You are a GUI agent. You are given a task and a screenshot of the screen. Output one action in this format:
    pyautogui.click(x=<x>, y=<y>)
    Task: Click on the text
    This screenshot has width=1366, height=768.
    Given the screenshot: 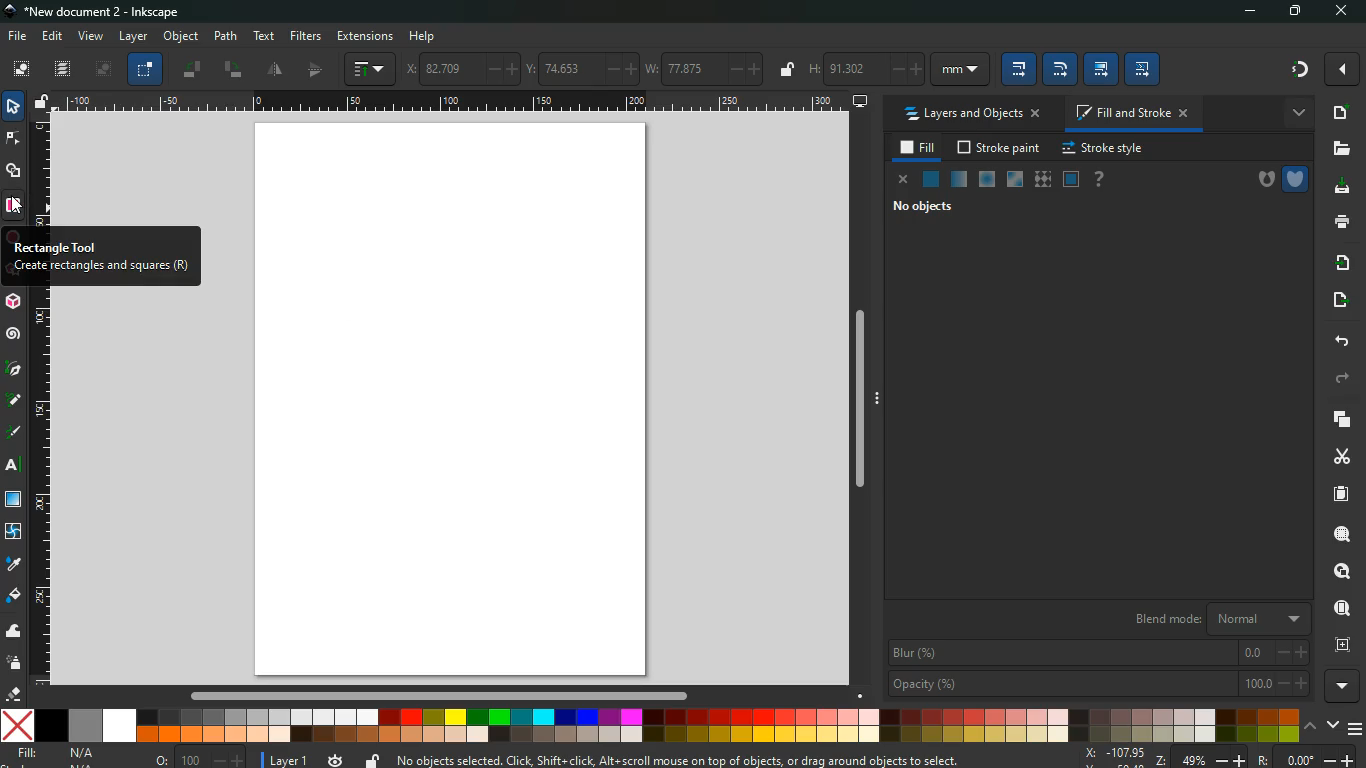 What is the action you would take?
    pyautogui.click(x=15, y=467)
    